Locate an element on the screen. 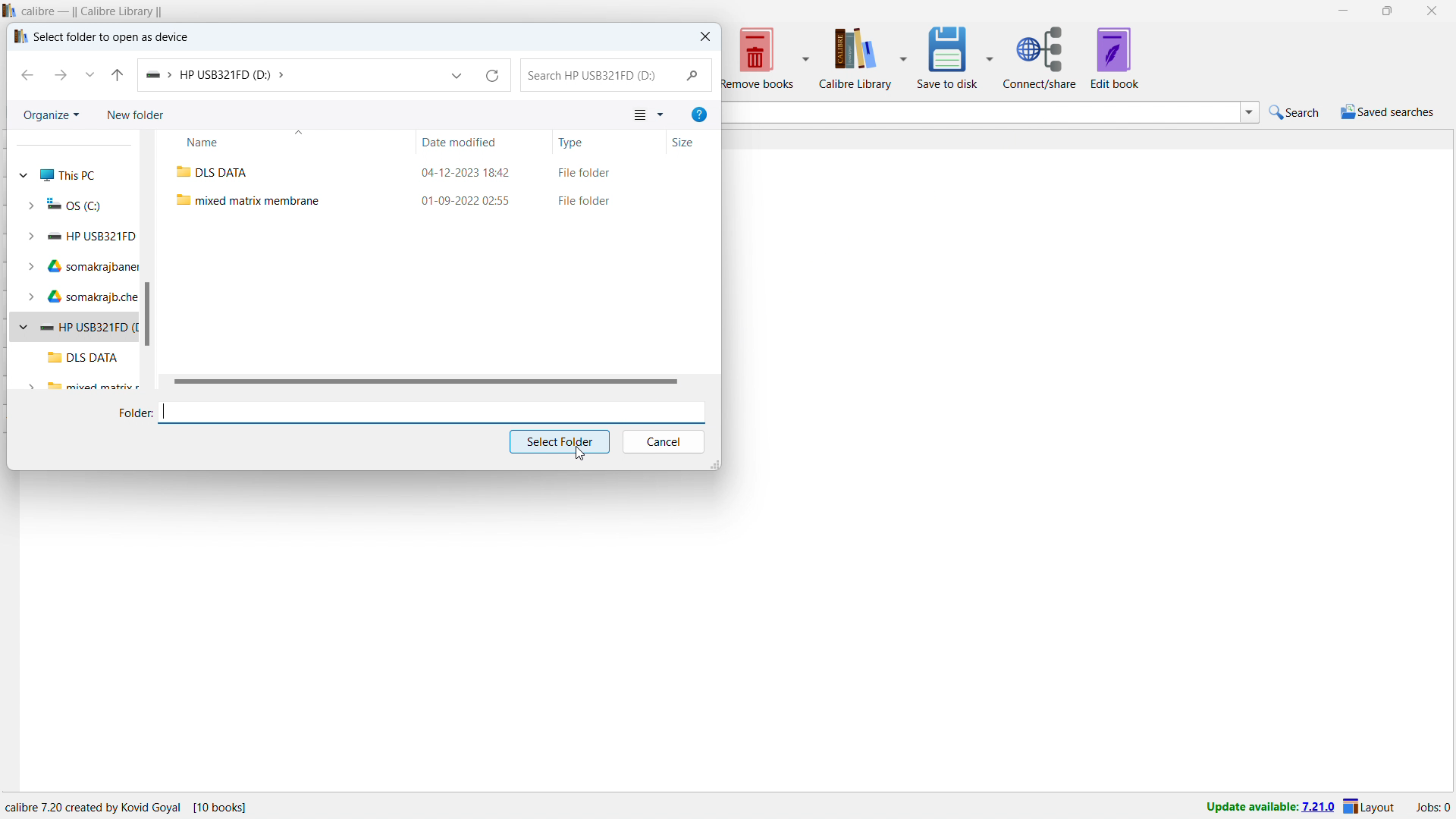 This screenshot has height=819, width=1456. go to originating folder is located at coordinates (118, 75).